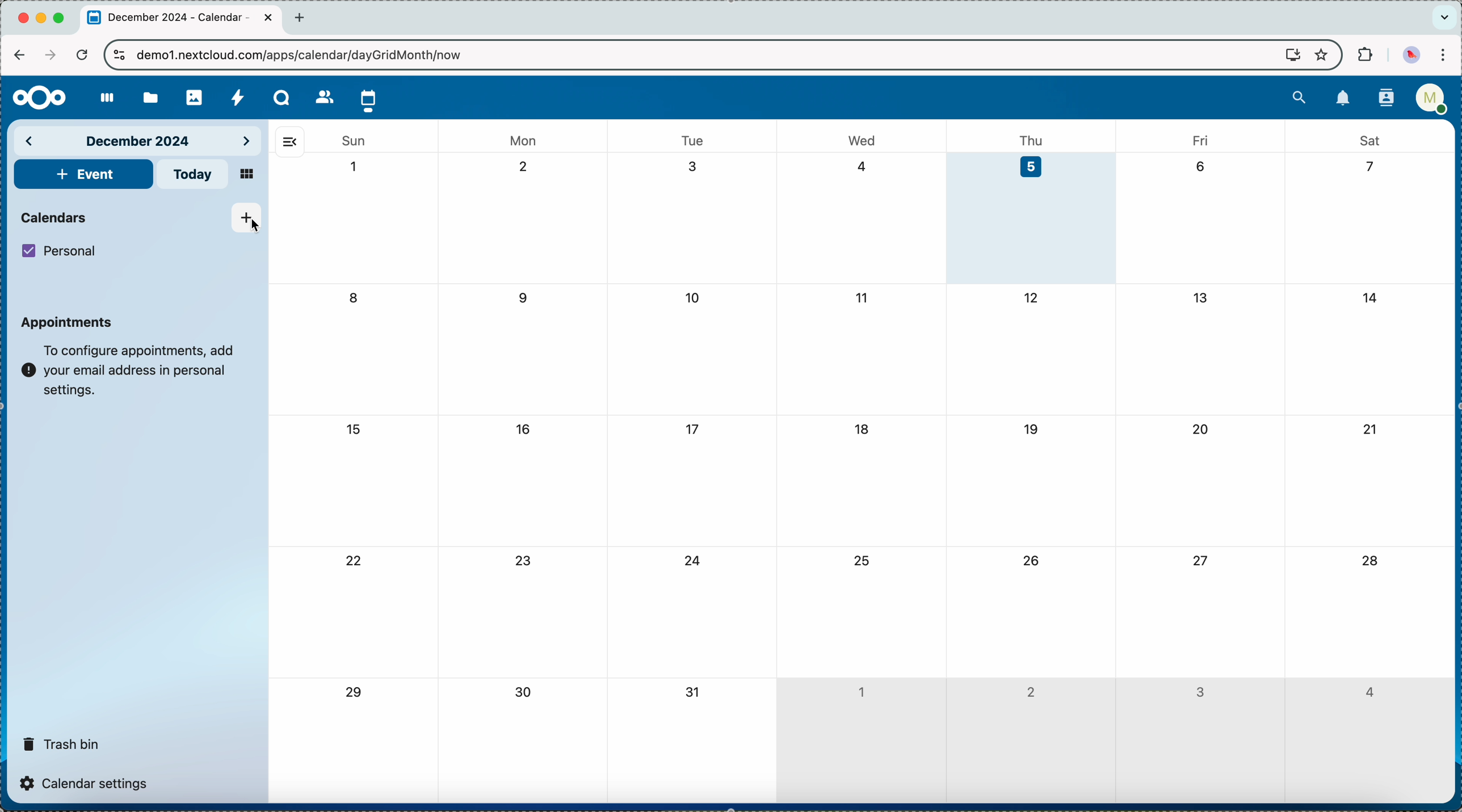  Describe the element at coordinates (247, 175) in the screenshot. I see `mosaic view` at that location.